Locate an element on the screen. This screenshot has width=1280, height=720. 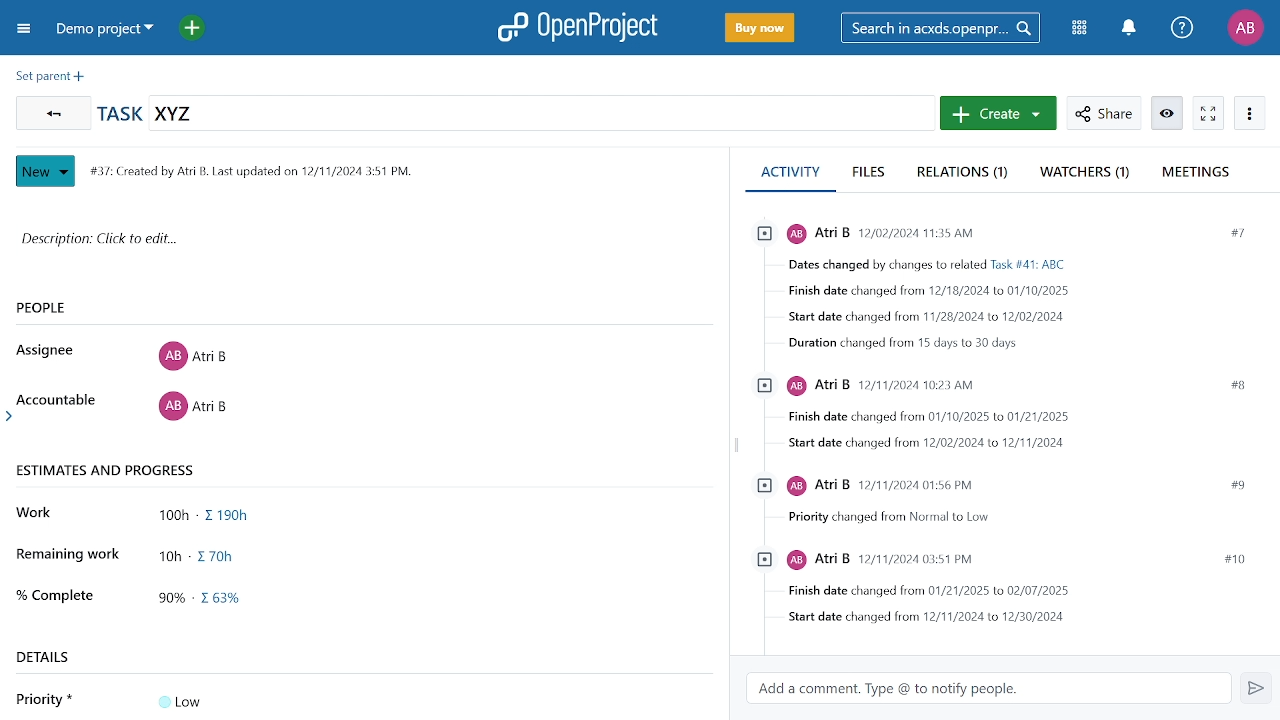
Files is located at coordinates (874, 179).